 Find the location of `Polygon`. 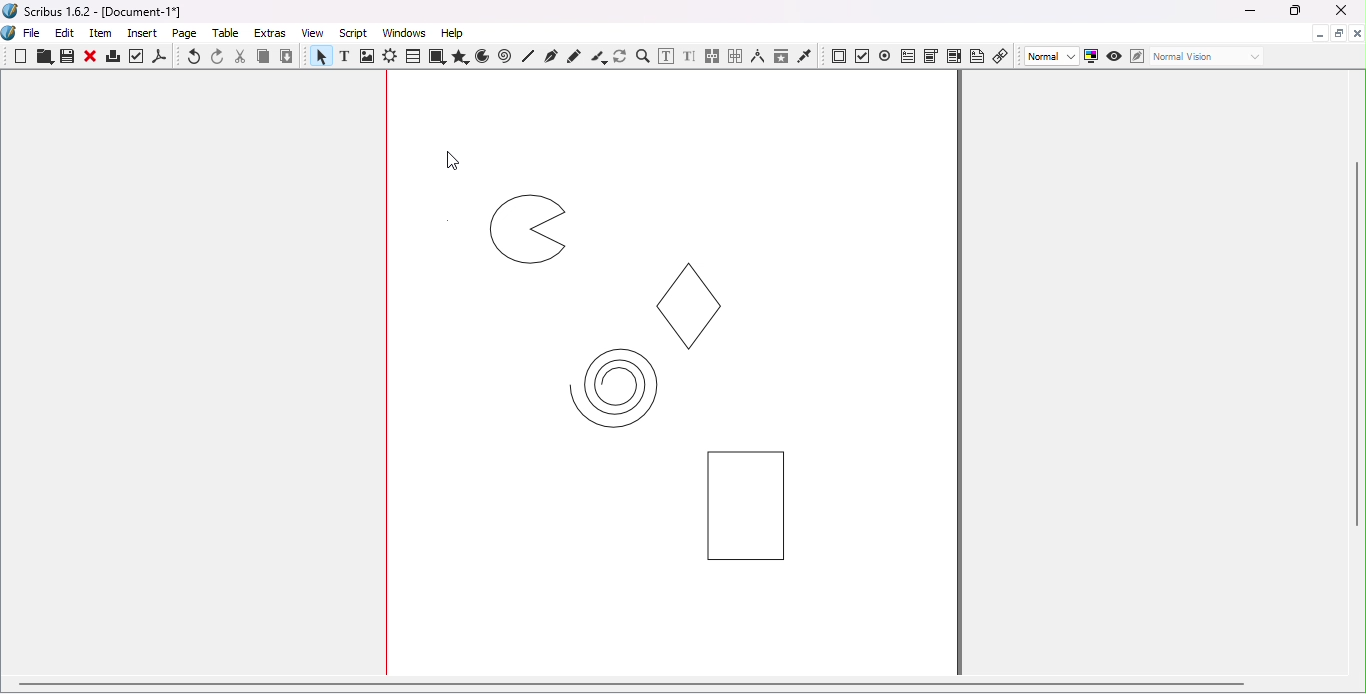

Polygon is located at coordinates (458, 57).